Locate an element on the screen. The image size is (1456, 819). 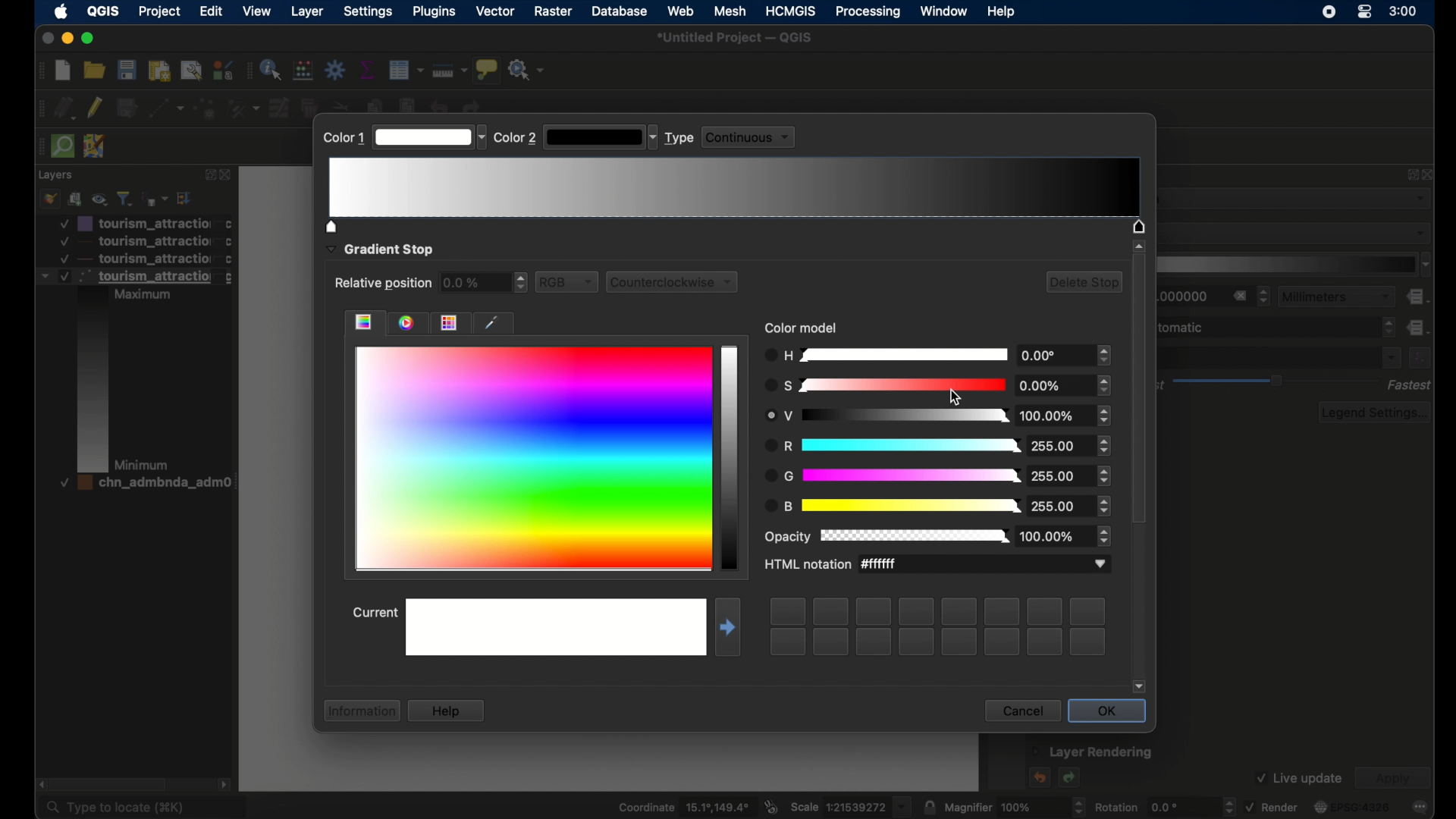
blank  preview is located at coordinates (554, 626).